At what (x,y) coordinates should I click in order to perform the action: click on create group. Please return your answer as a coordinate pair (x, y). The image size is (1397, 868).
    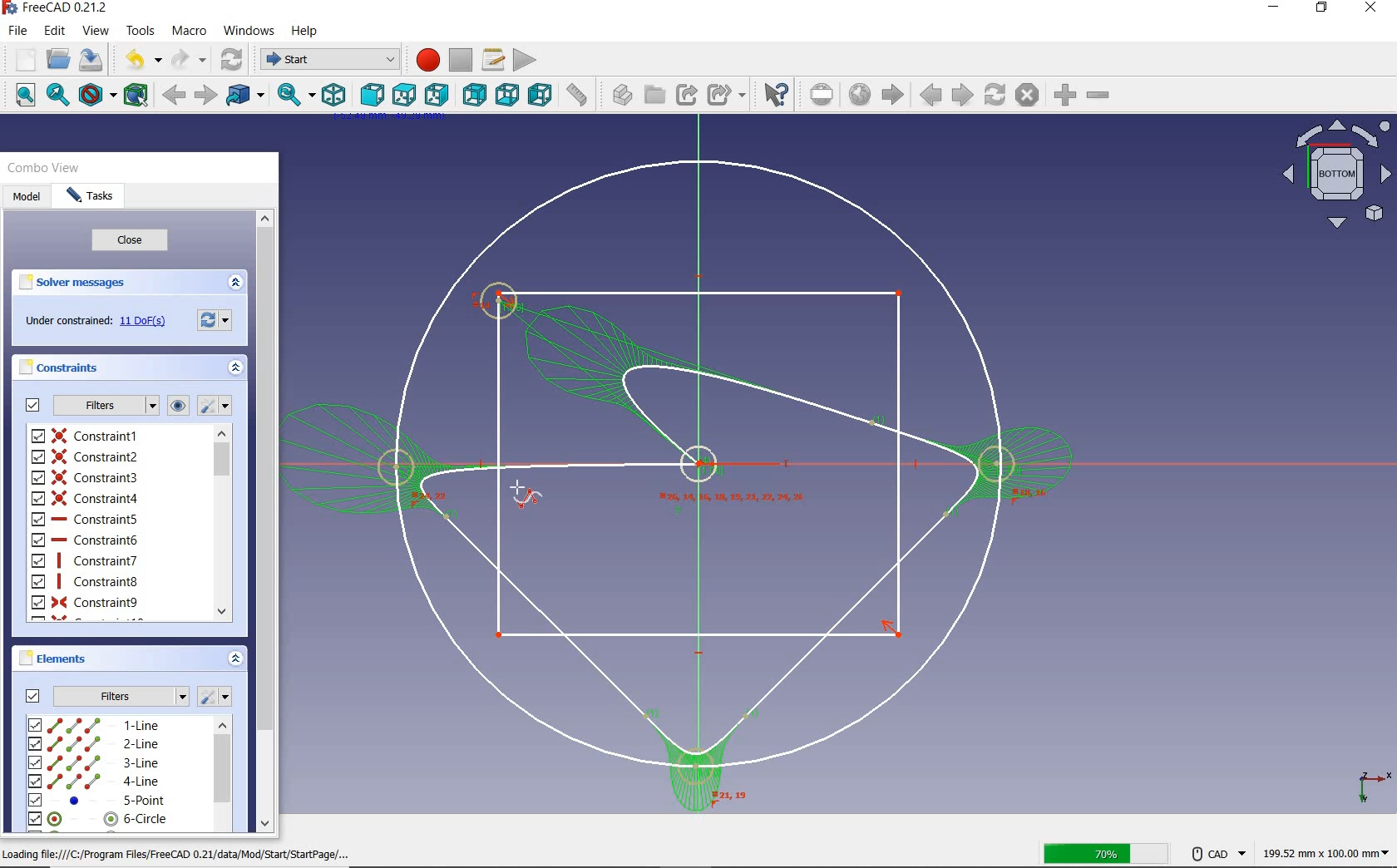
    Looking at the image, I should click on (654, 94).